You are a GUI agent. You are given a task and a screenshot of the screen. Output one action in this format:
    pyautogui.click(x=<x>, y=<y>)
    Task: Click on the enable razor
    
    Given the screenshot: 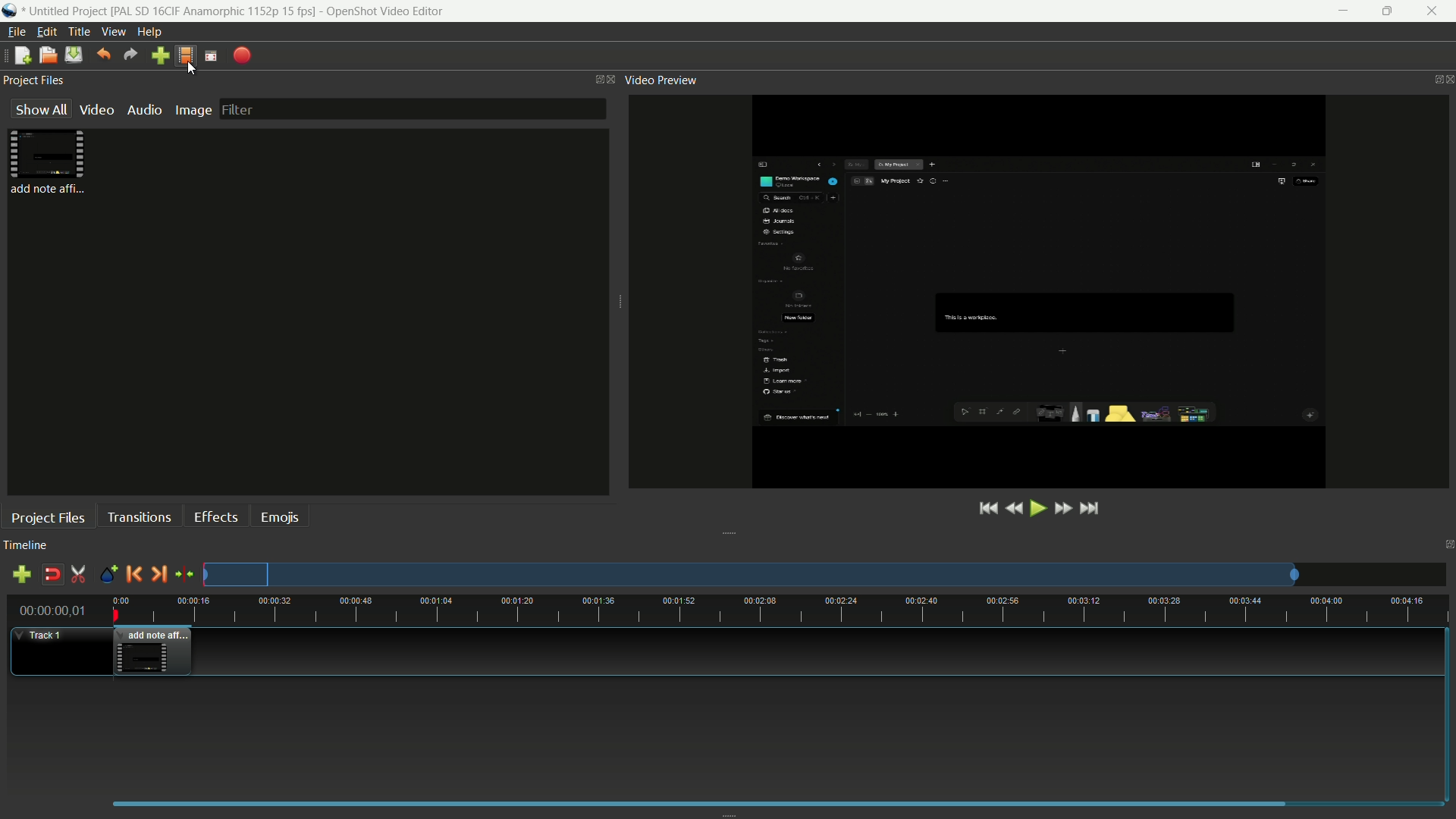 What is the action you would take?
    pyautogui.click(x=79, y=575)
    